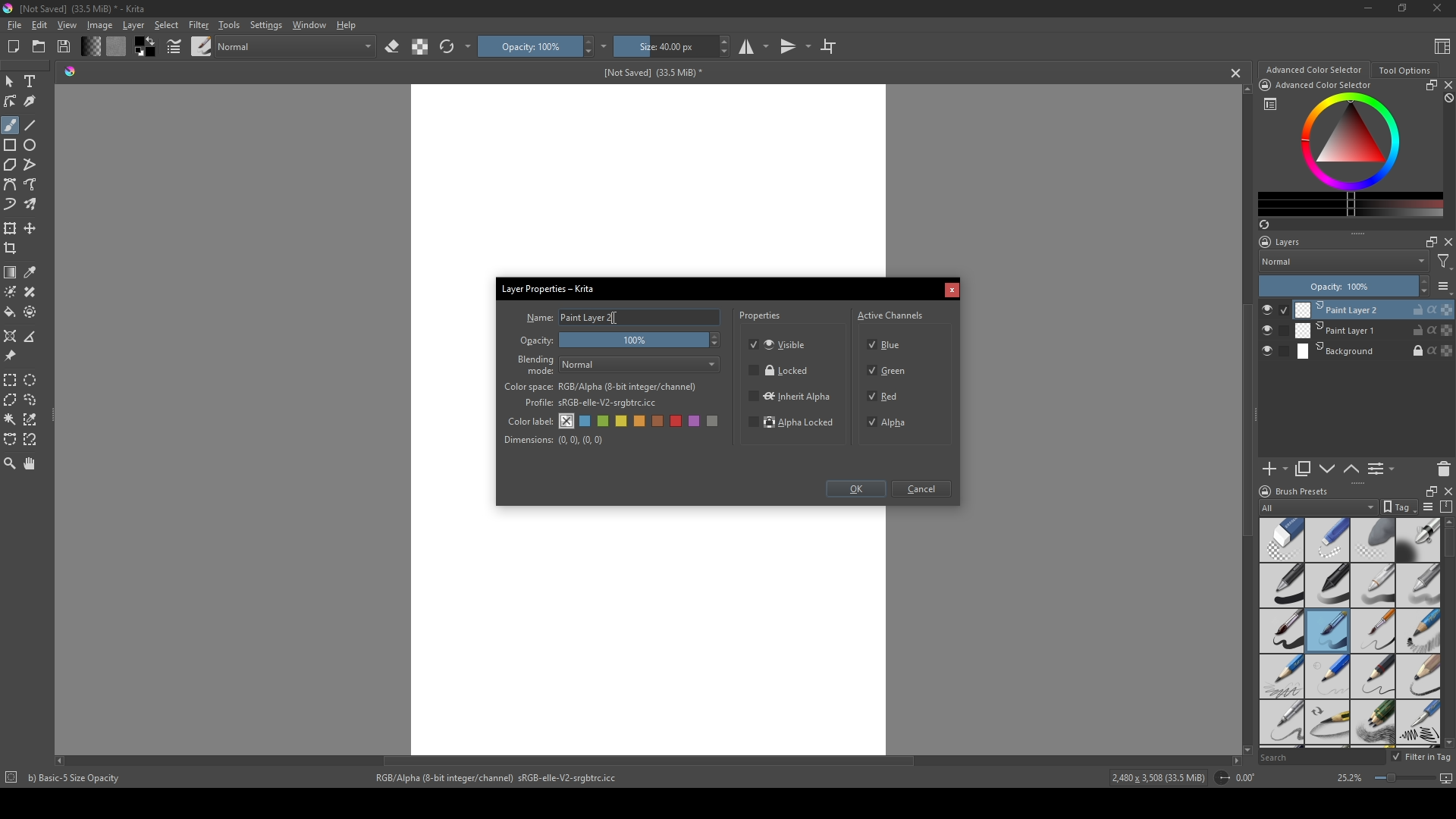 The height and width of the screenshot is (819, 1456). I want to click on View, so click(67, 25).